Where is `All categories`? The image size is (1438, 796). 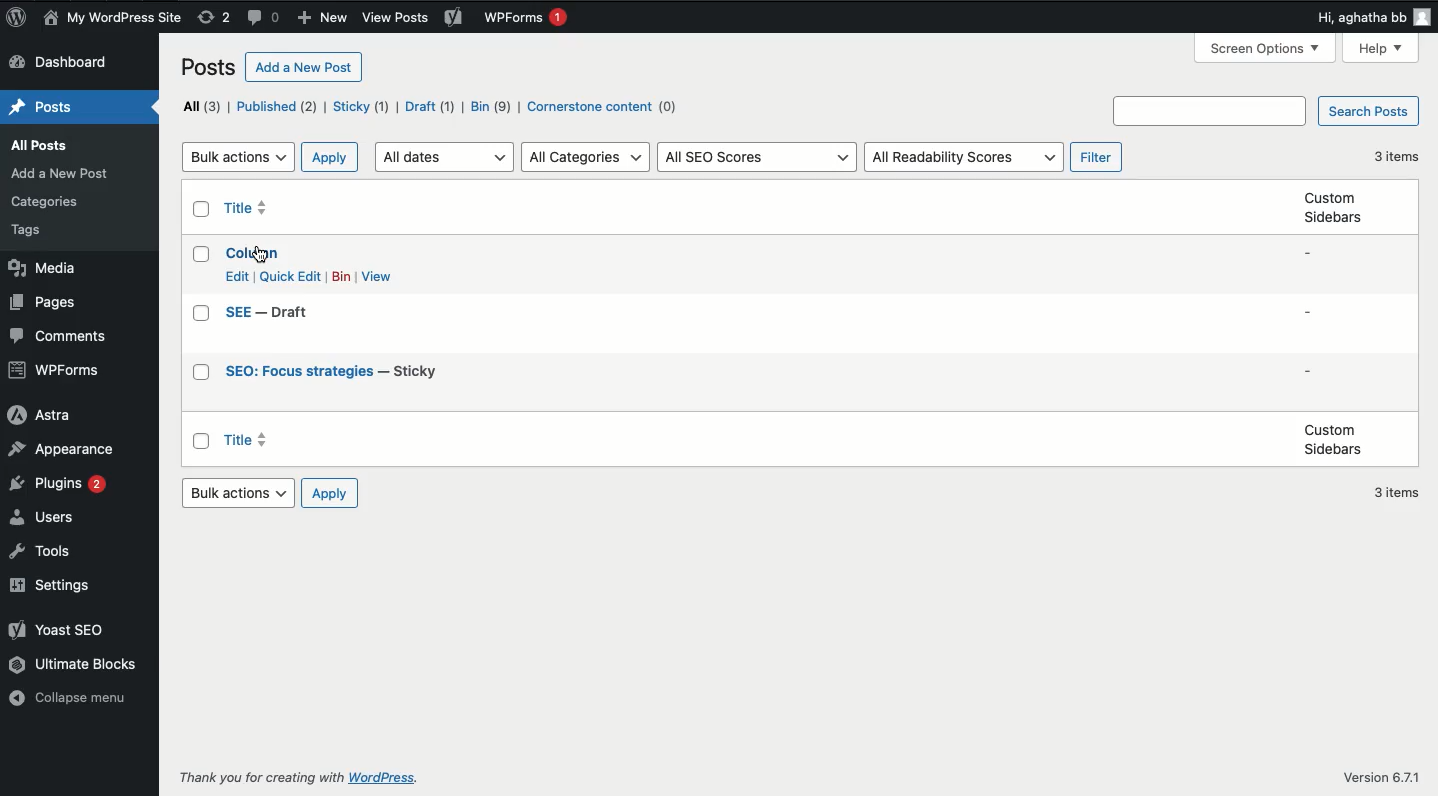
All categories is located at coordinates (588, 157).